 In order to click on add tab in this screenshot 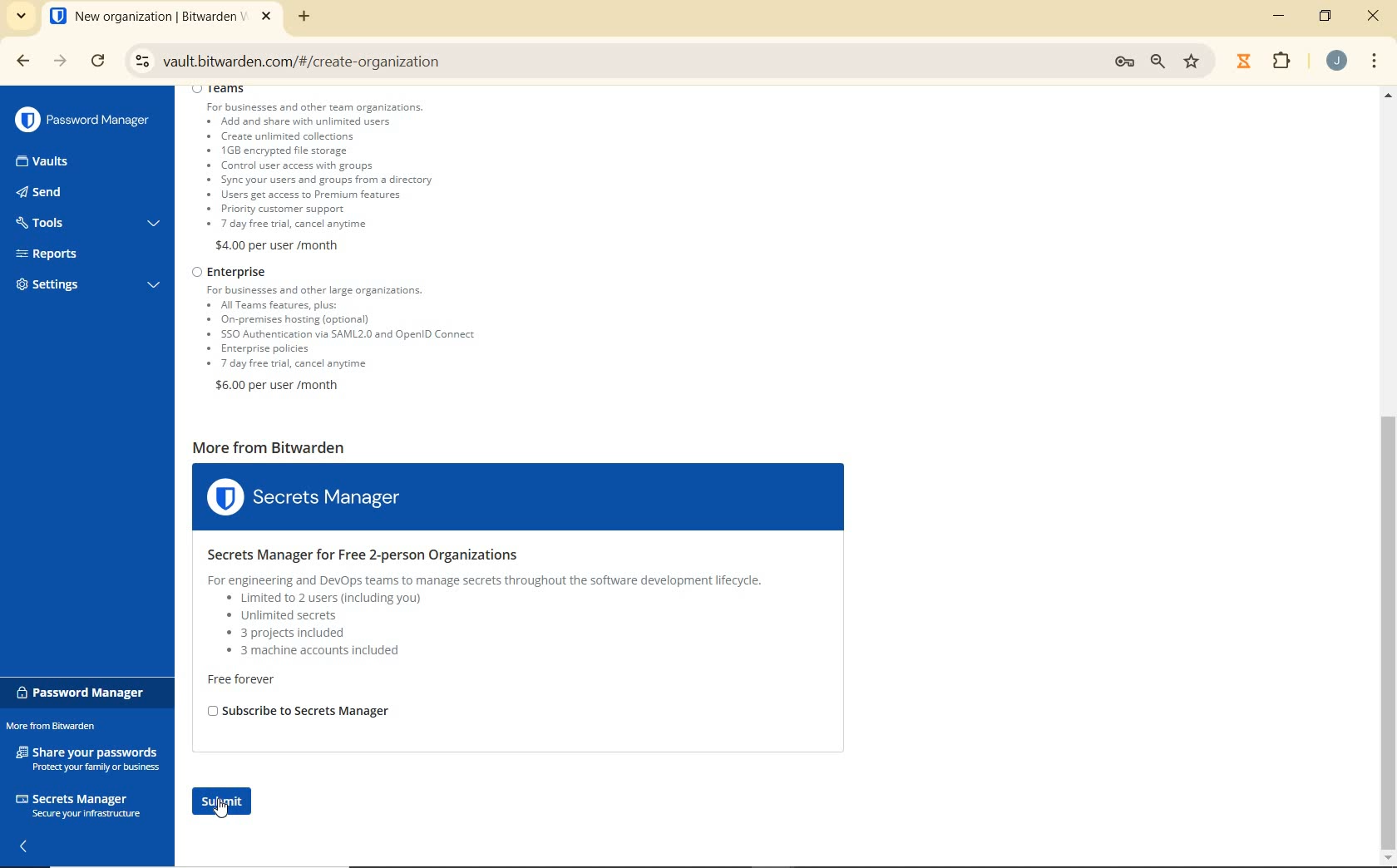, I will do `click(304, 16)`.